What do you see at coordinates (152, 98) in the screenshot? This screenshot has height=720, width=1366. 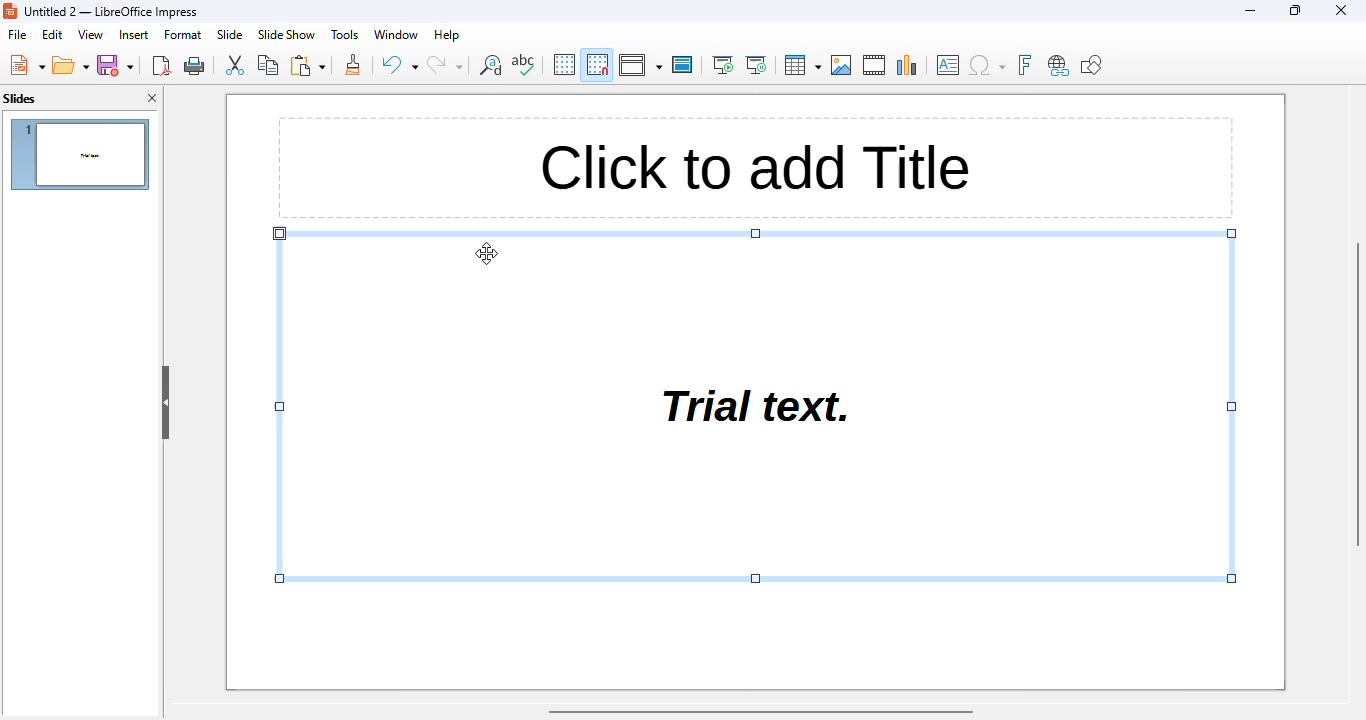 I see `close pane` at bounding box center [152, 98].